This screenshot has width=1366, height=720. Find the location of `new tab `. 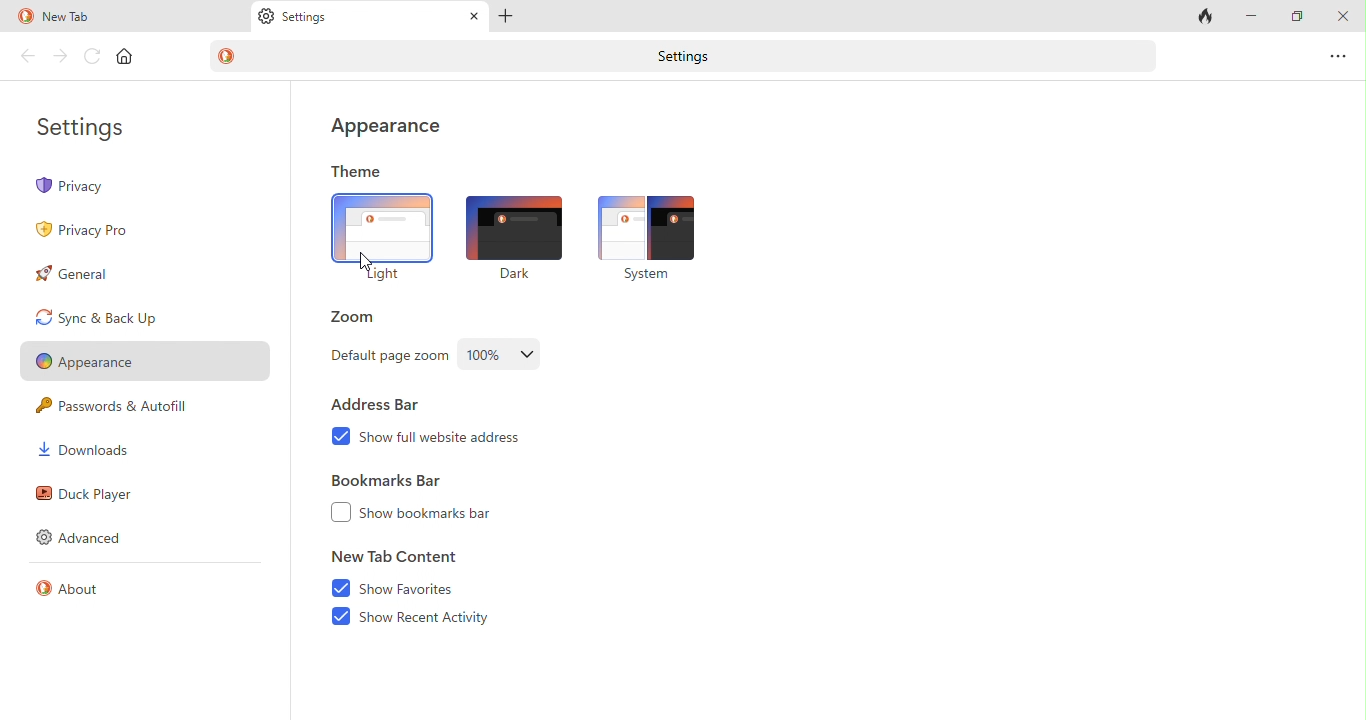

new tab  is located at coordinates (73, 17).